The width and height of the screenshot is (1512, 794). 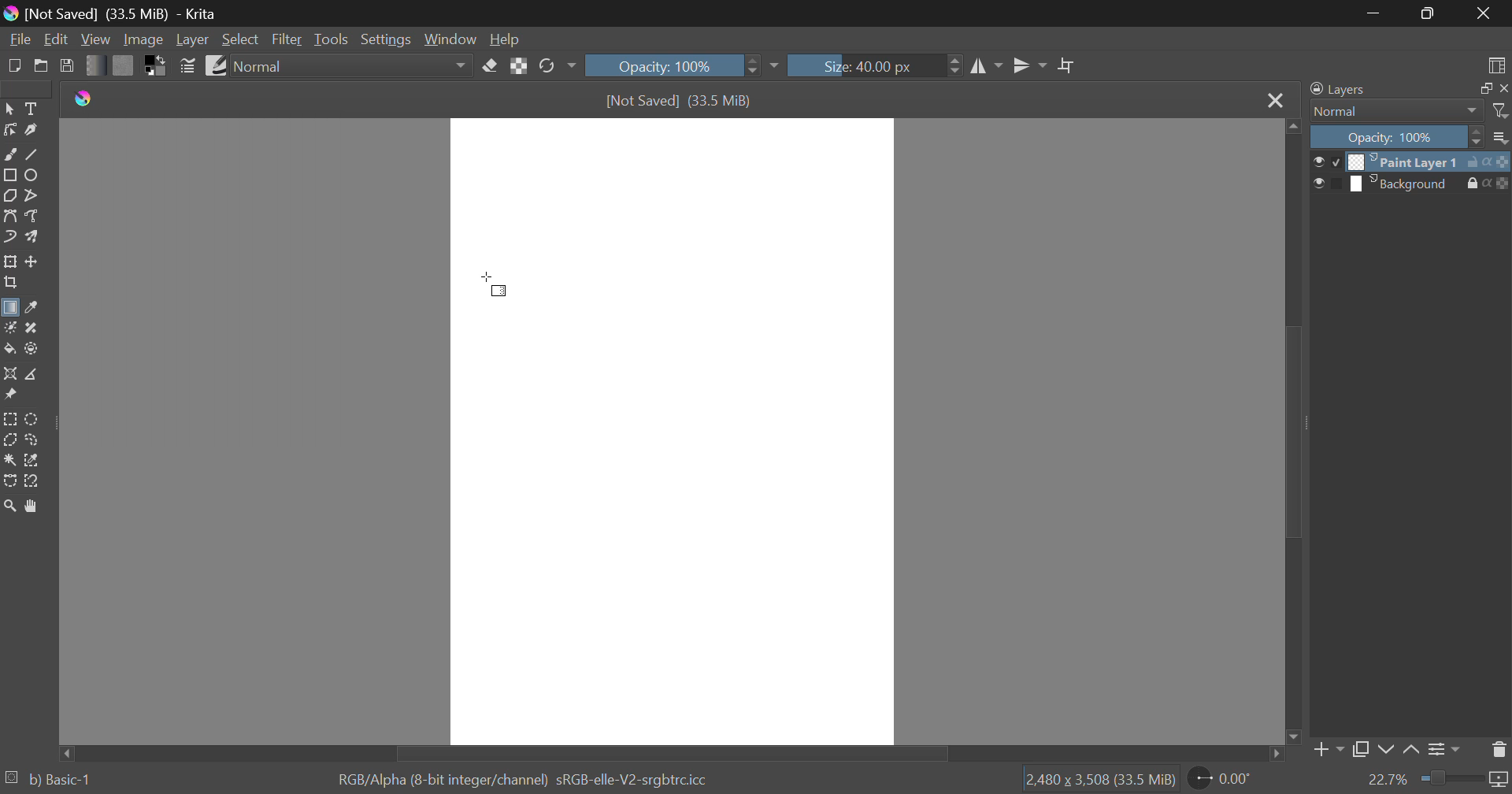 I want to click on Edit, so click(x=57, y=39).